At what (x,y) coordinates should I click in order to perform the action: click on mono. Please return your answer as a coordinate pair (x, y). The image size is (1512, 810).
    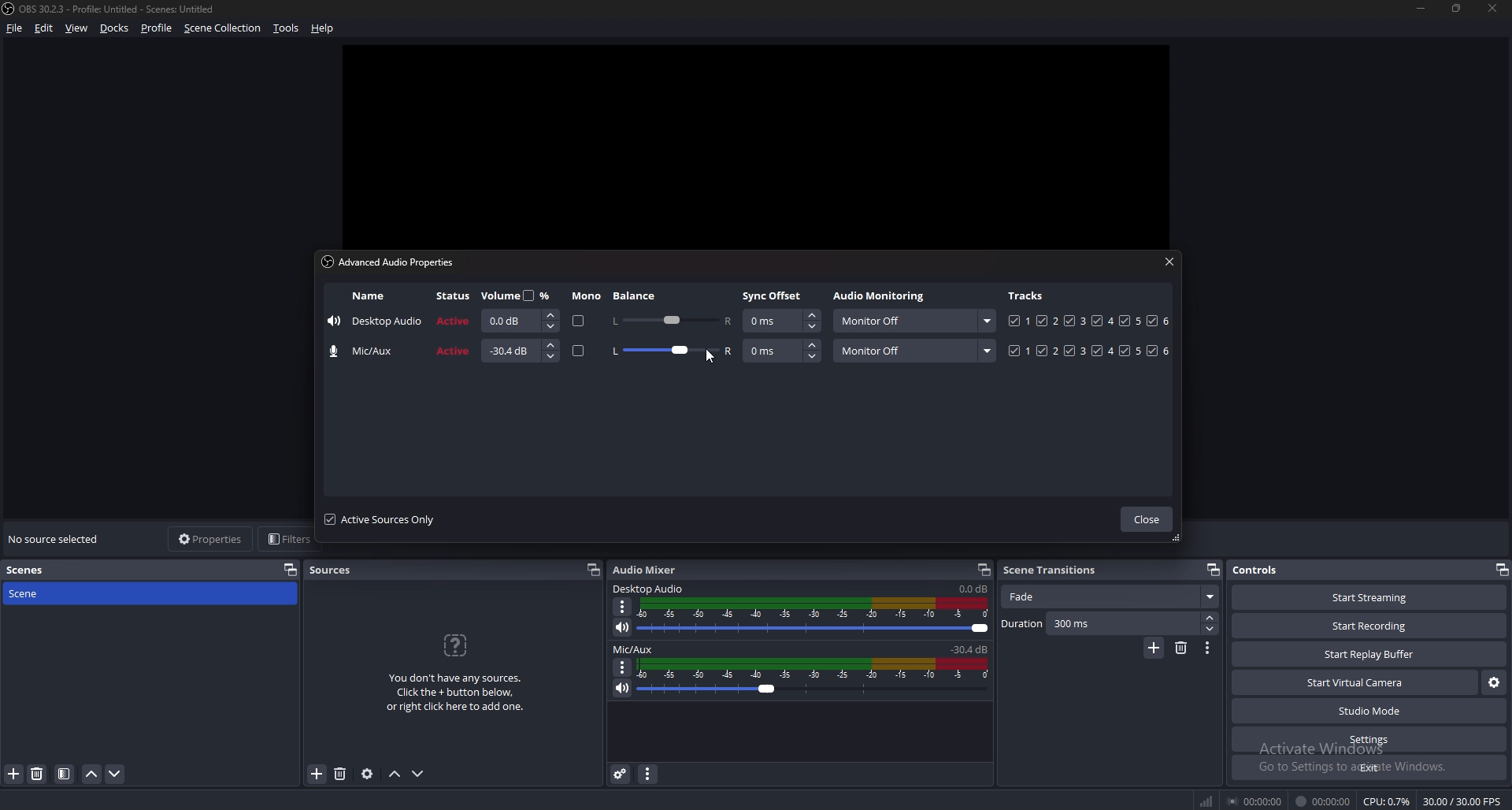
    Looking at the image, I should click on (580, 323).